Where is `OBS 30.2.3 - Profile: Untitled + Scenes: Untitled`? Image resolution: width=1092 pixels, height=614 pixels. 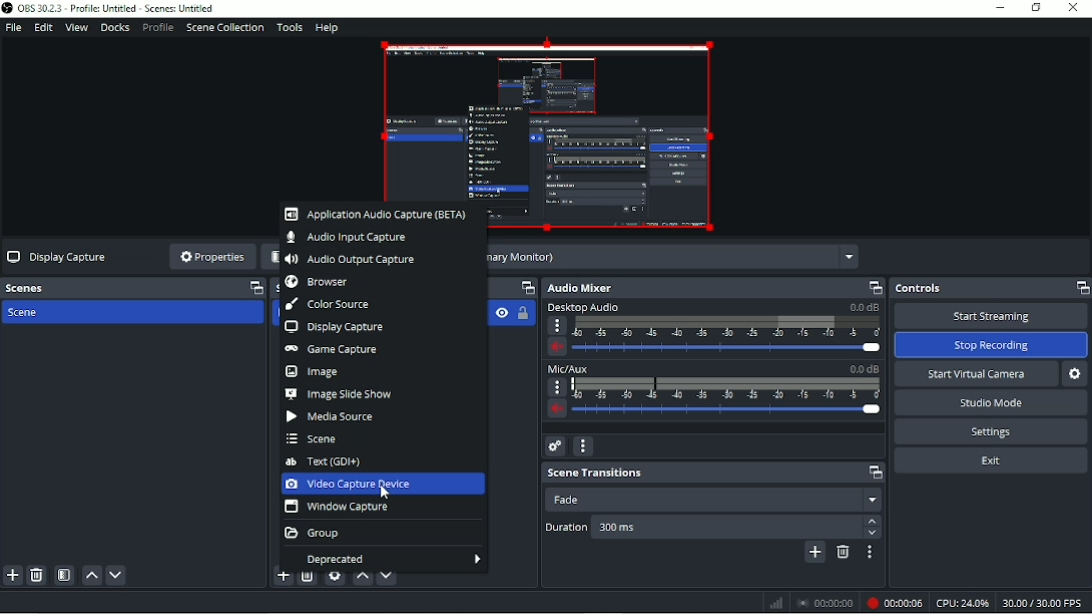
OBS 30.2.3 - Profile: Untitled + Scenes: Untitled is located at coordinates (120, 9).